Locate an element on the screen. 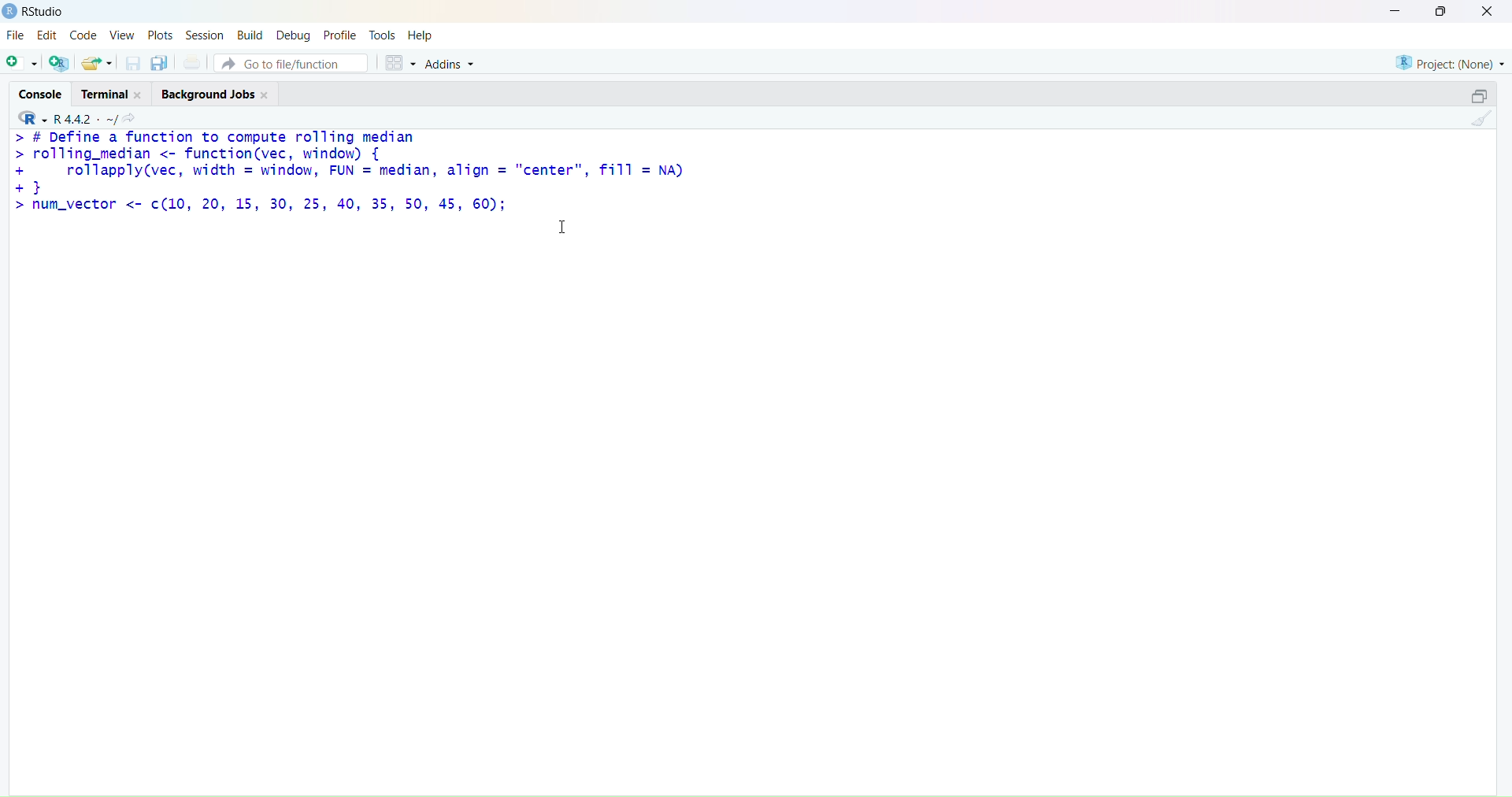 The image size is (1512, 797). background jobs is located at coordinates (208, 96).